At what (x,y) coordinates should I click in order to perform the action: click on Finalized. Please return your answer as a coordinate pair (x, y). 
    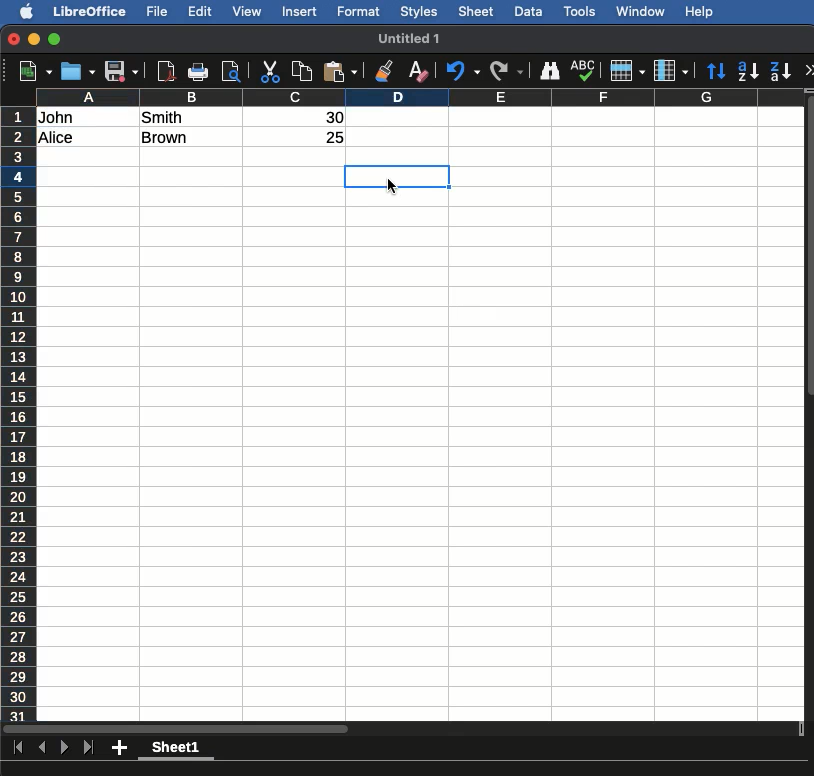
    Looking at the image, I should click on (398, 176).